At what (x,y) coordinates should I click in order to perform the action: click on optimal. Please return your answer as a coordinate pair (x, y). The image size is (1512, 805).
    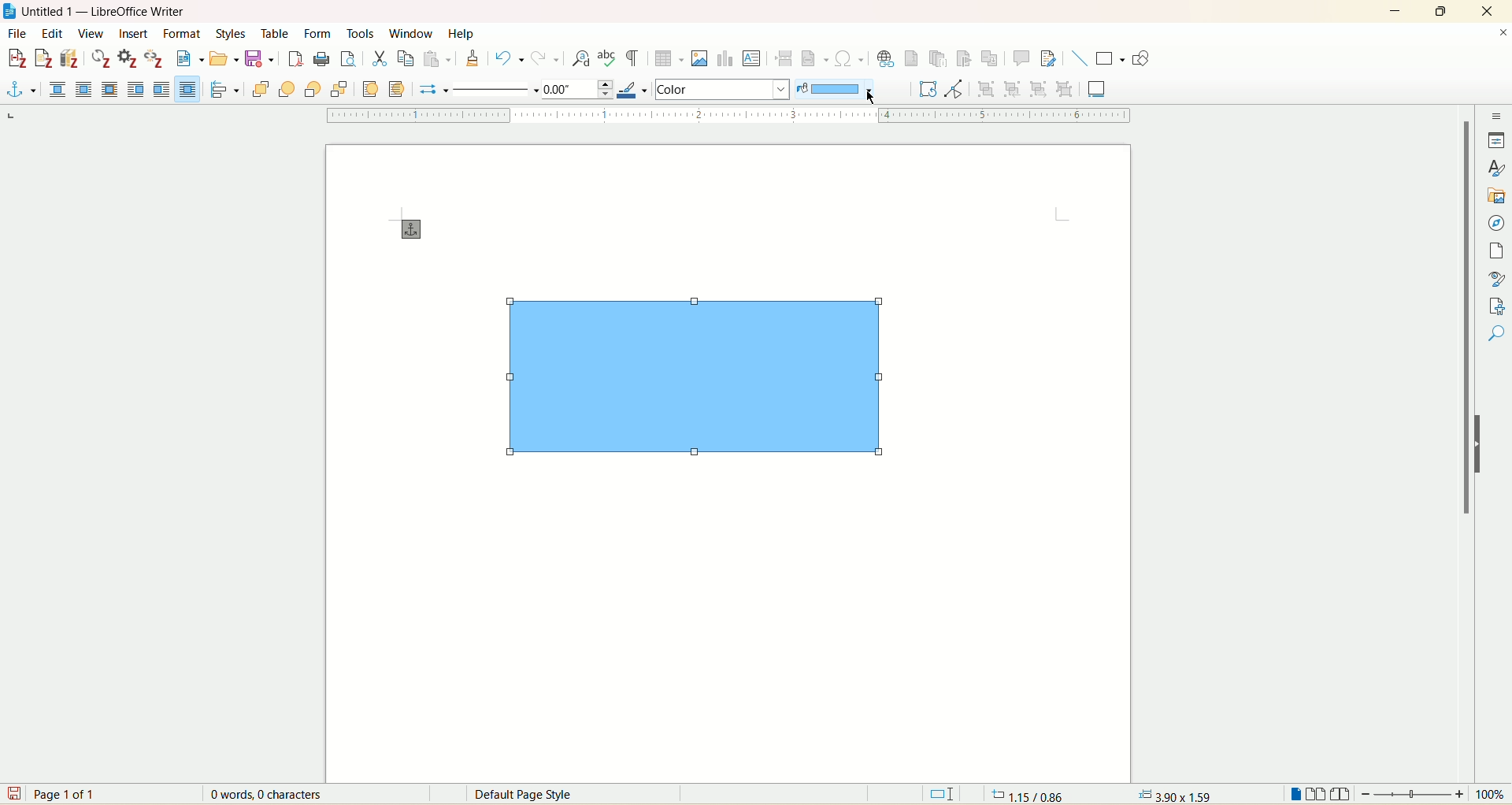
    Looking at the image, I should click on (108, 88).